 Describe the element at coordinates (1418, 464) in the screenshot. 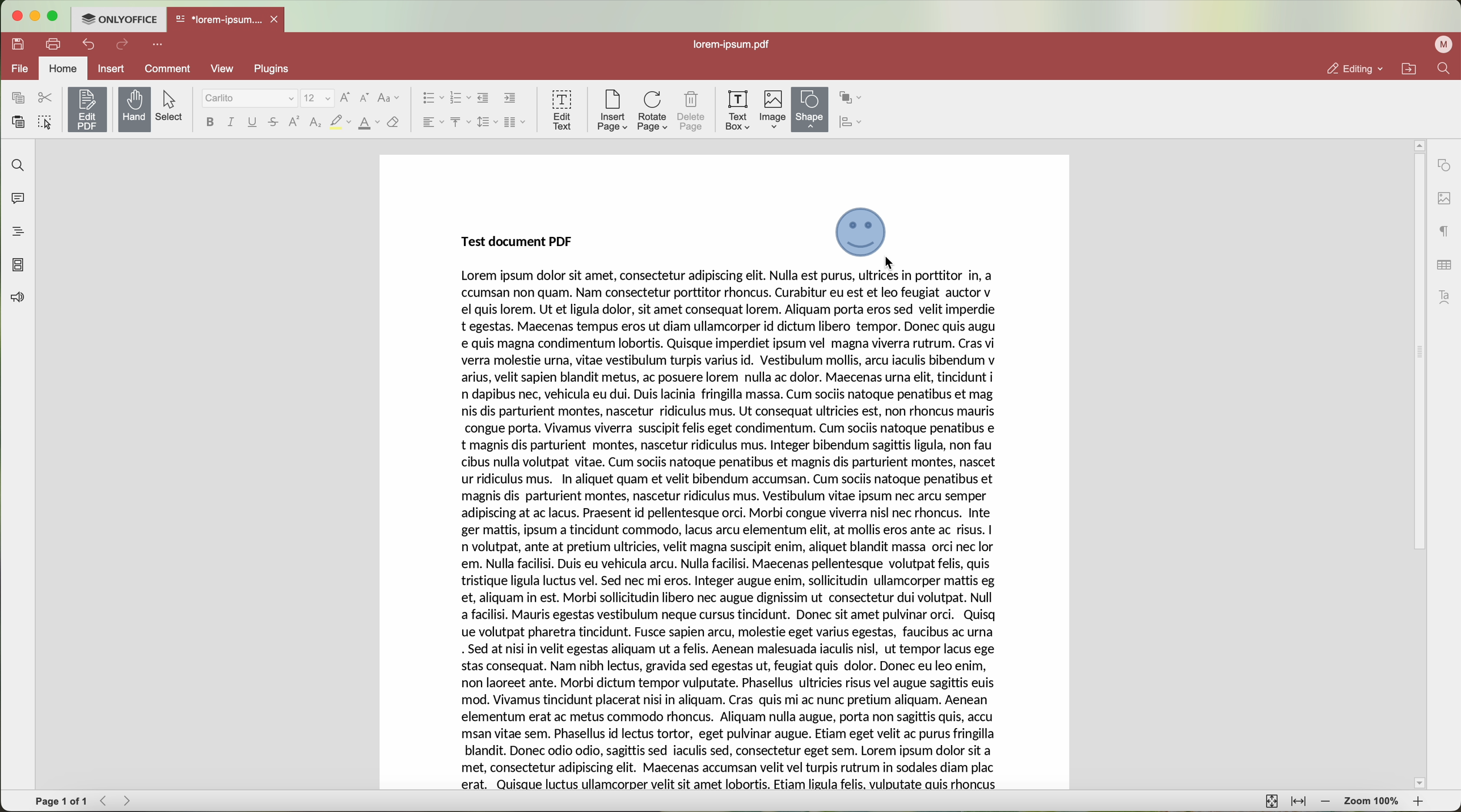

I see `scrollbar` at that location.